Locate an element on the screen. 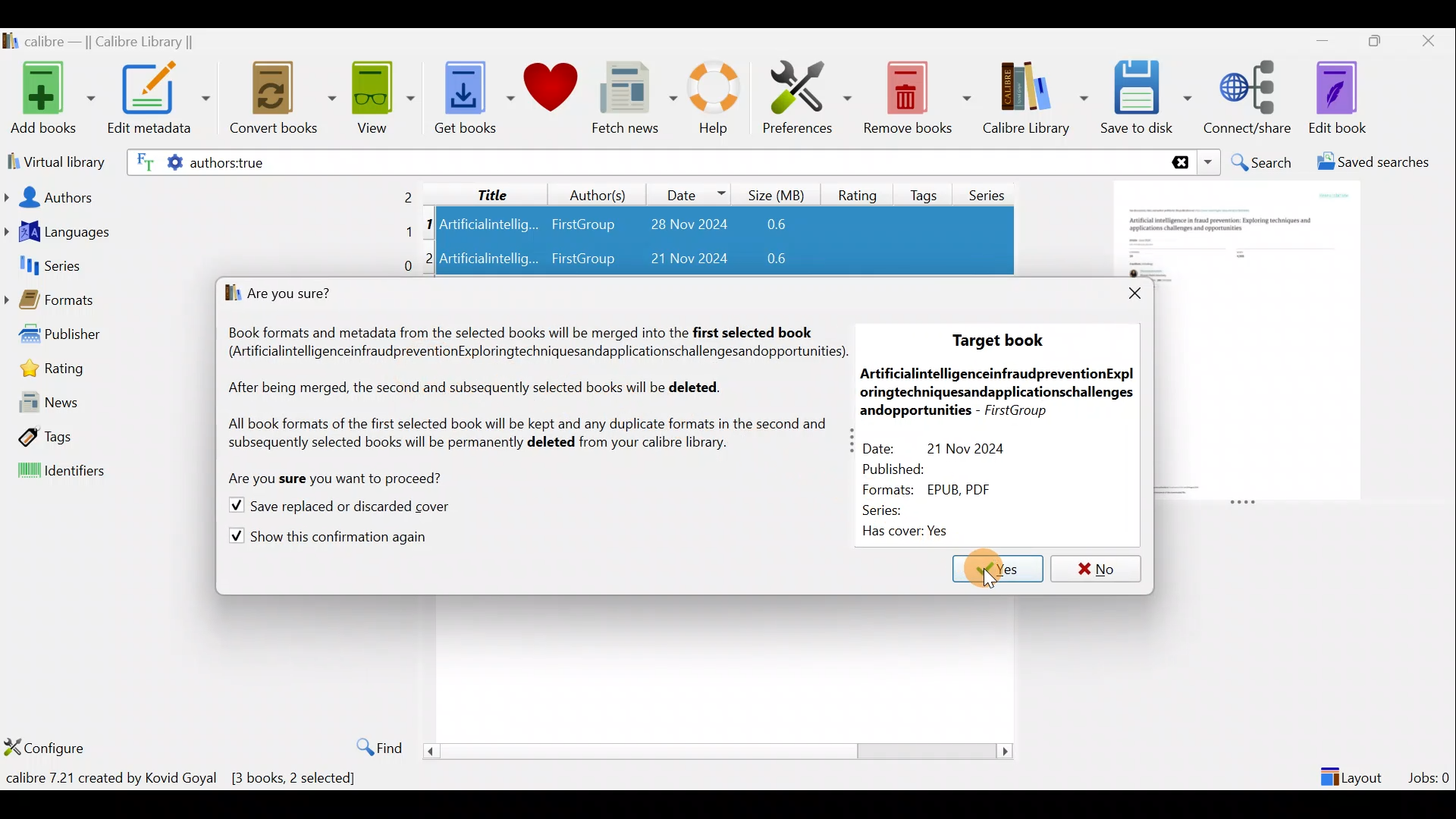 The width and height of the screenshot is (1456, 819). Rating is located at coordinates (107, 374).